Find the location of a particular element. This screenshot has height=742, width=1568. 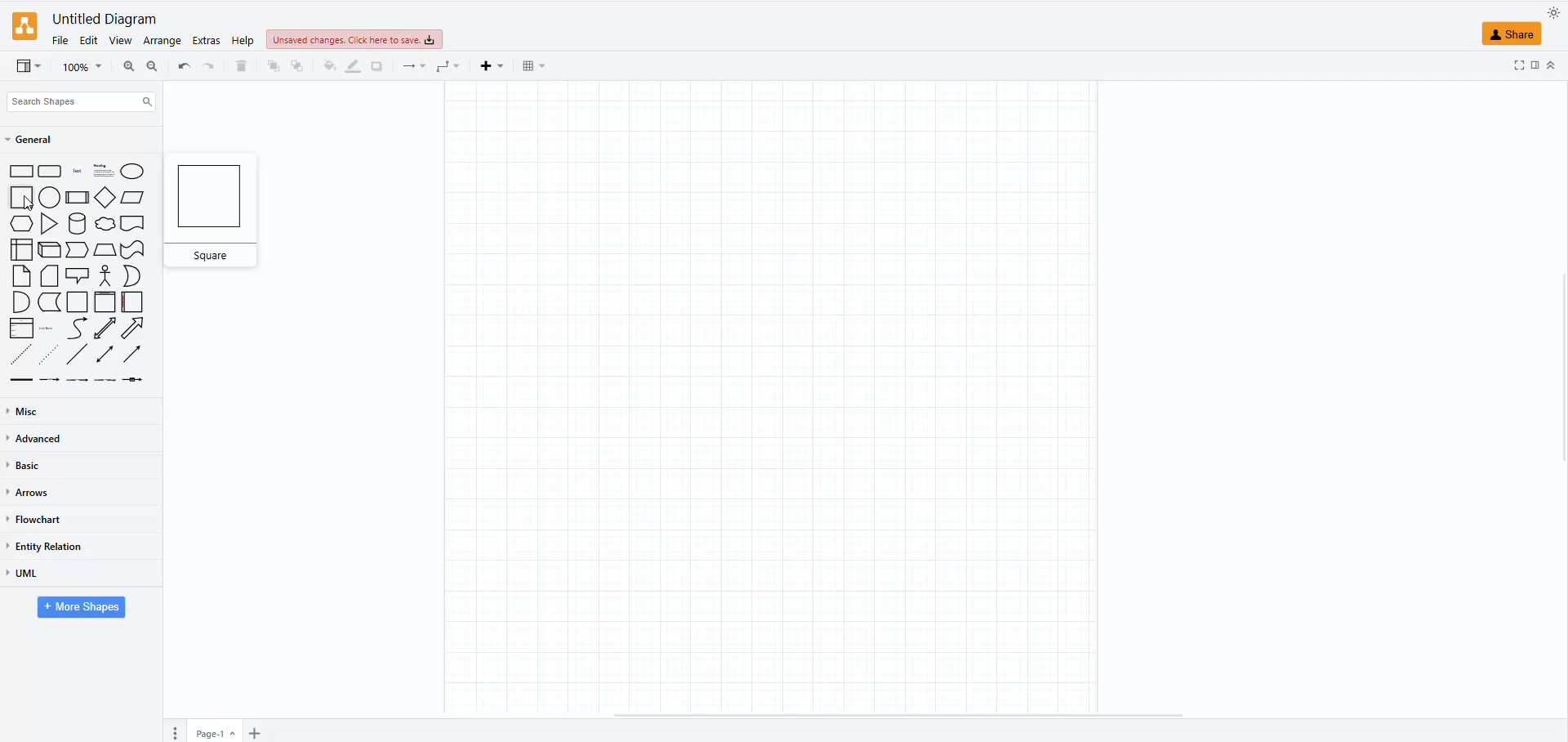

line  is located at coordinates (78, 355).